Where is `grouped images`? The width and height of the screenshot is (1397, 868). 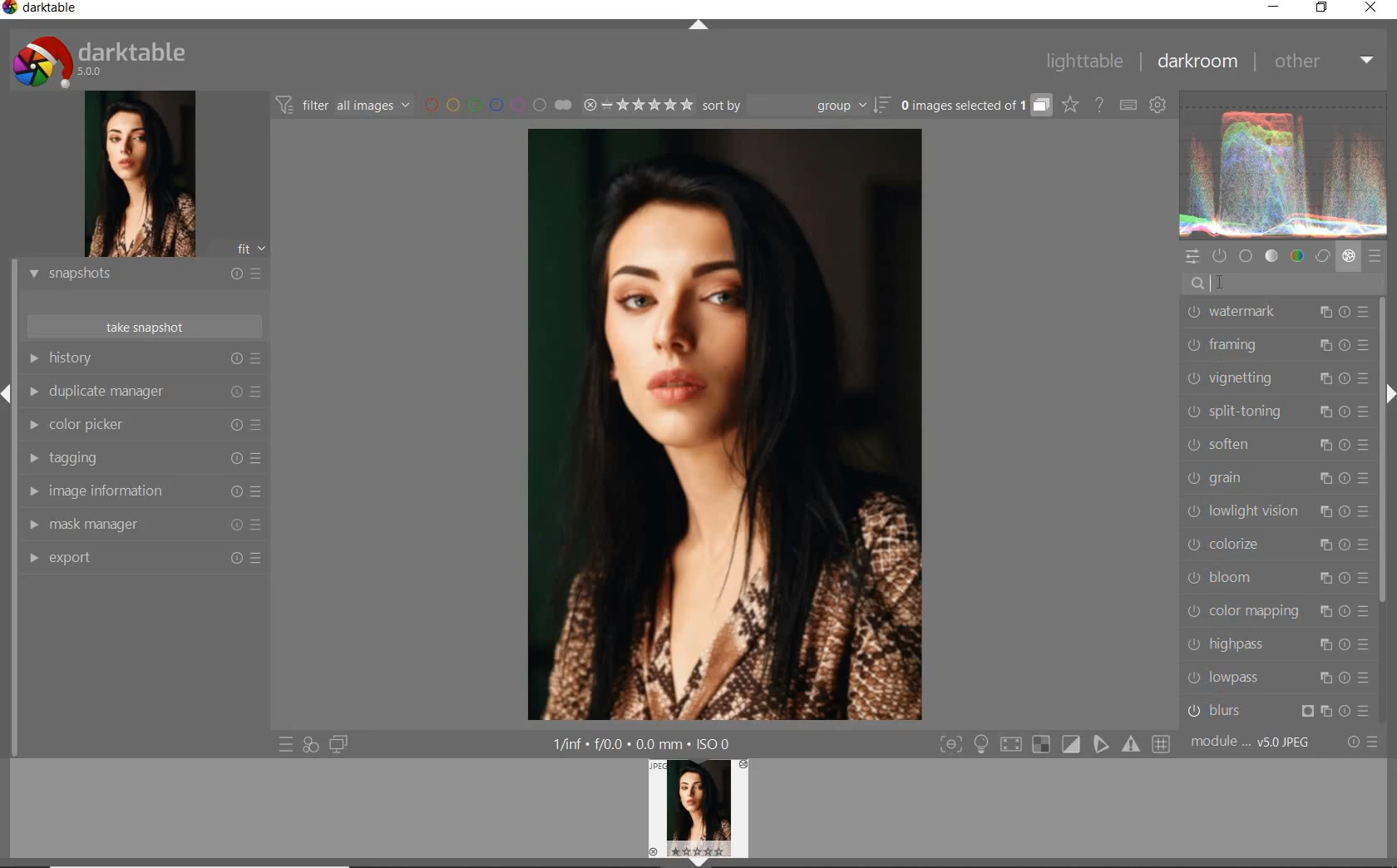
grouped images is located at coordinates (976, 106).